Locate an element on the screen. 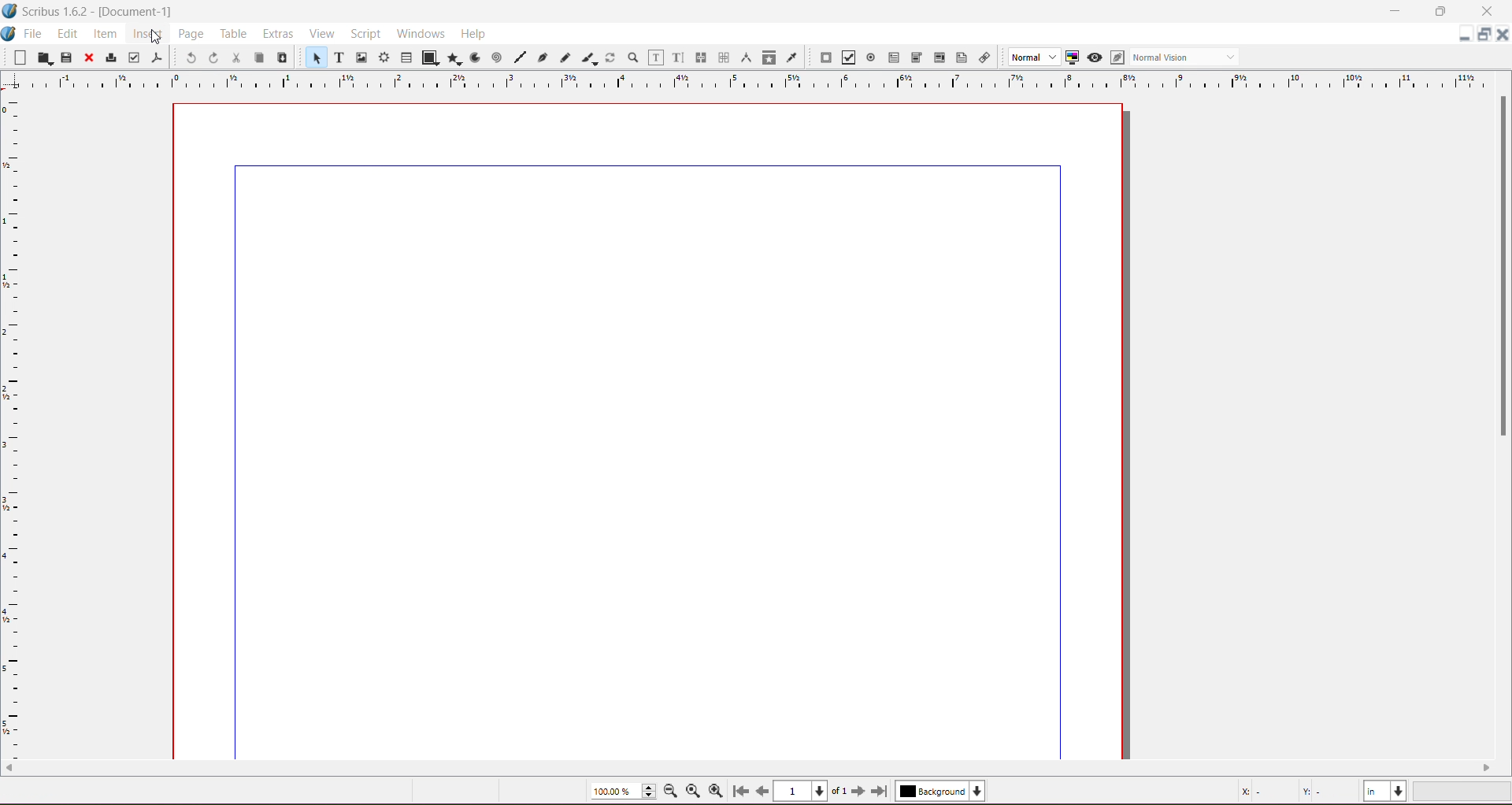  Image Frame is located at coordinates (362, 57).